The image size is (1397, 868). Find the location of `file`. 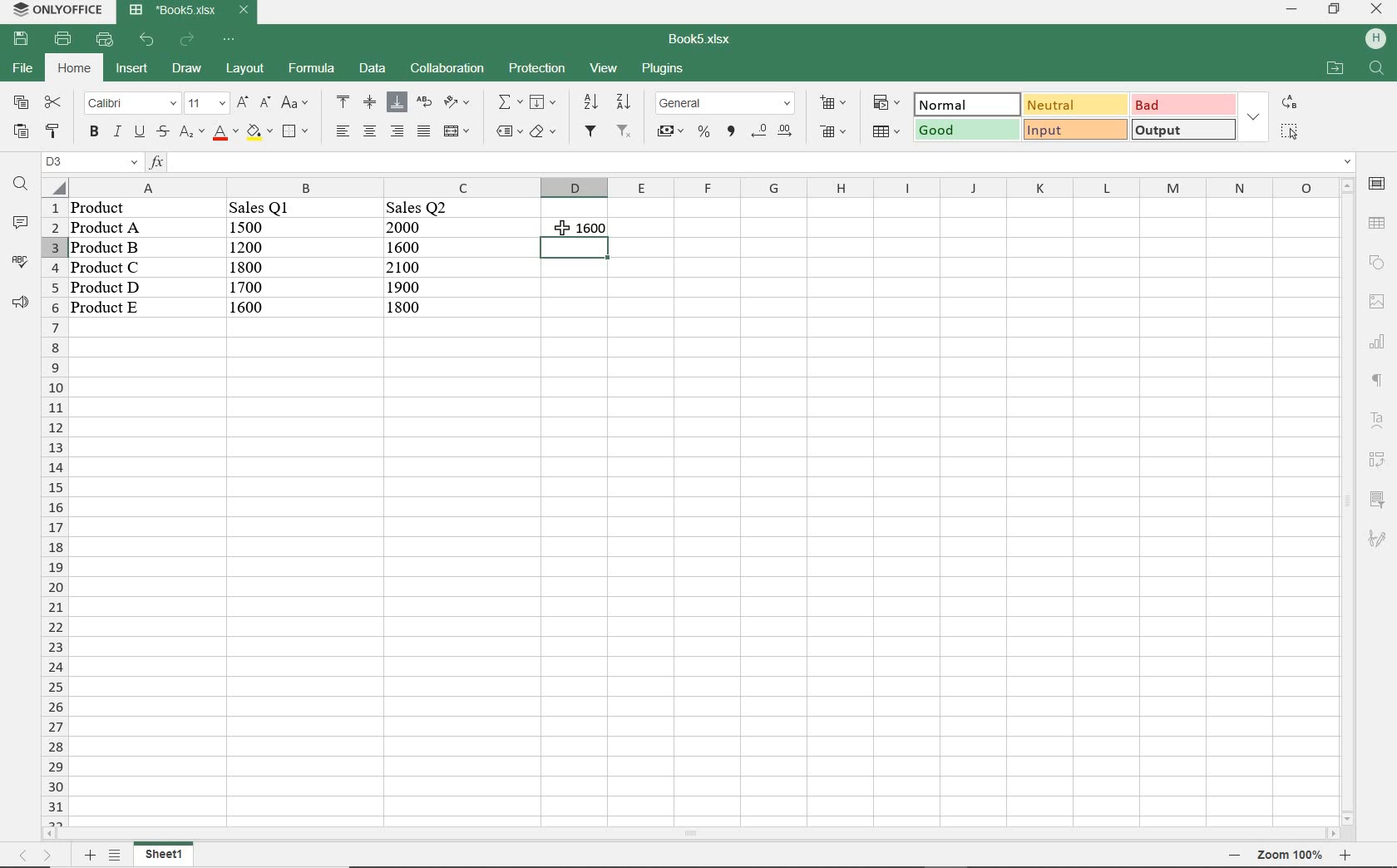

file is located at coordinates (25, 67).